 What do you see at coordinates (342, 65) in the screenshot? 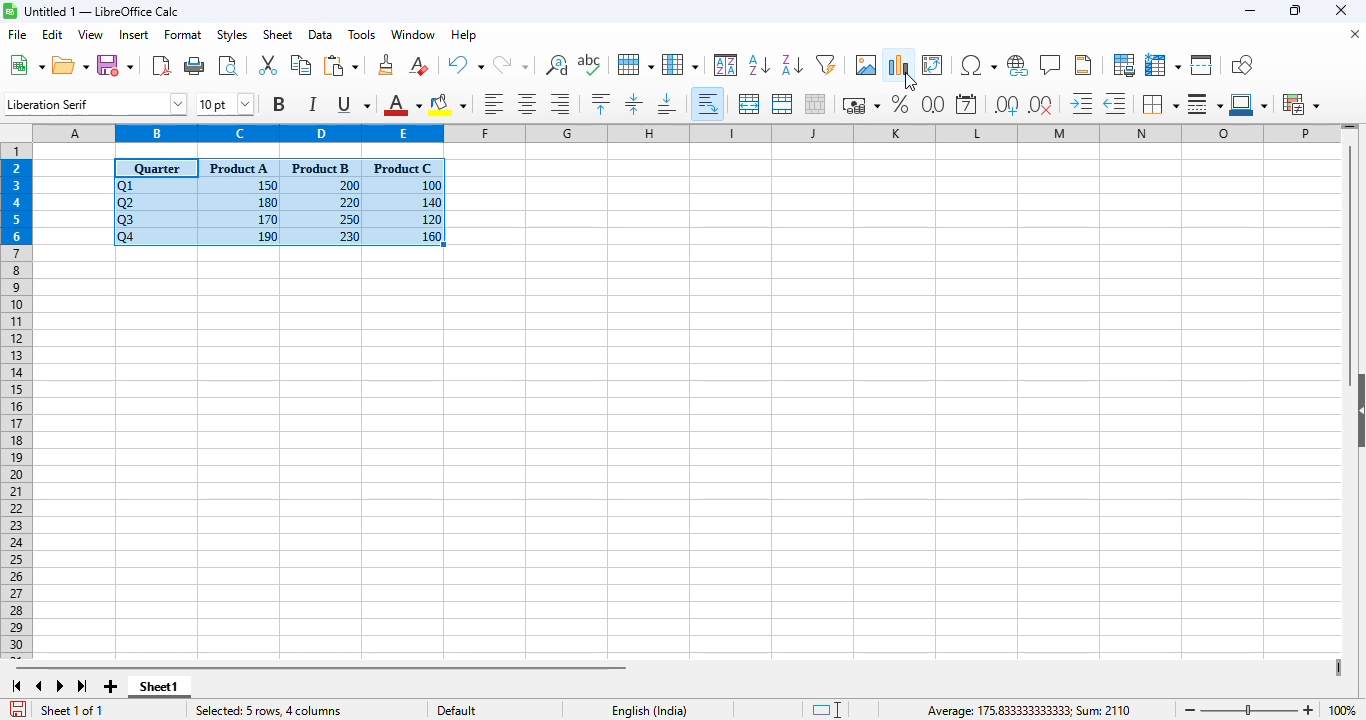
I see `paste` at bounding box center [342, 65].